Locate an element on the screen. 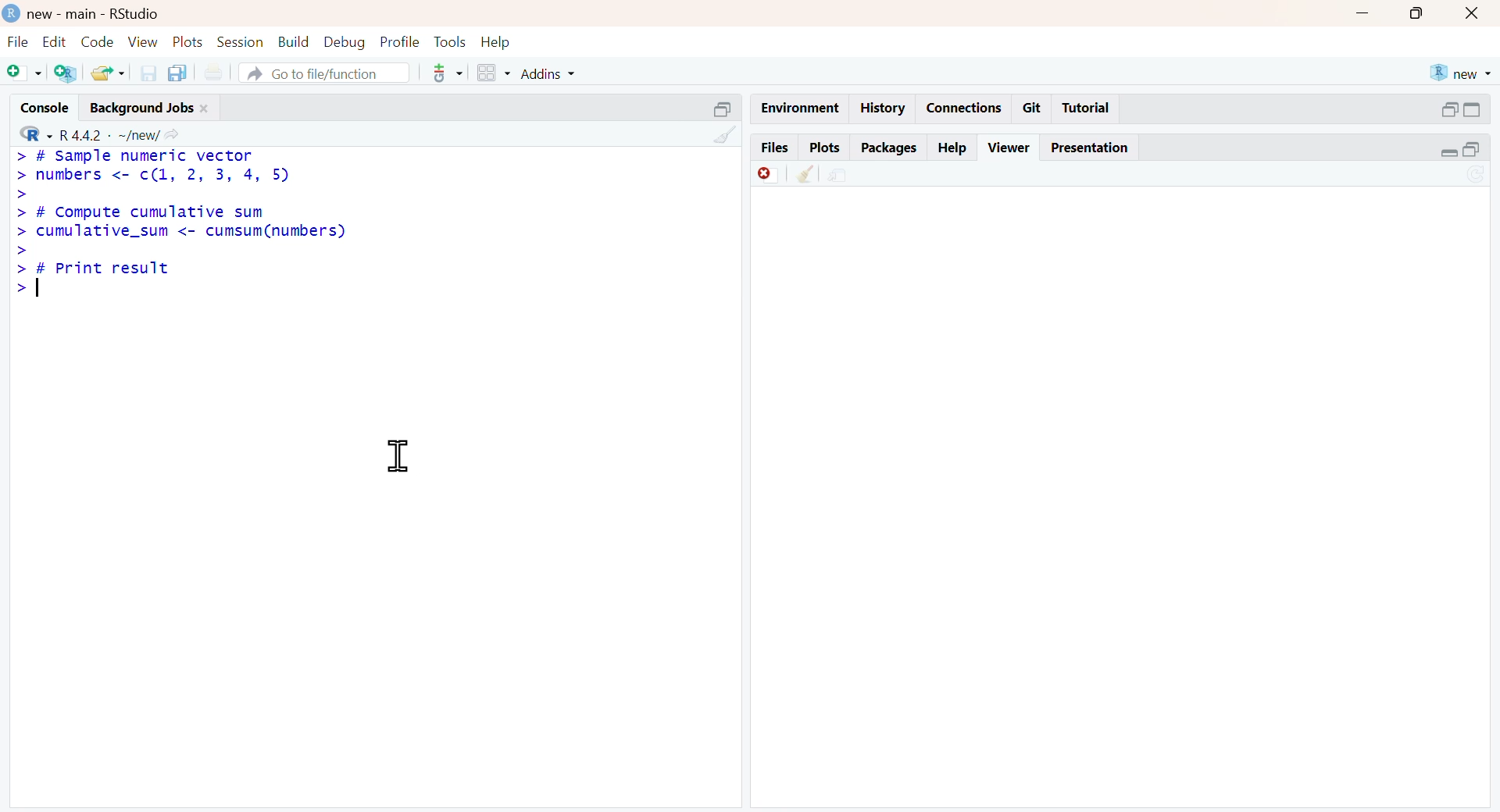 This screenshot has width=1500, height=812. logo is located at coordinates (12, 14).